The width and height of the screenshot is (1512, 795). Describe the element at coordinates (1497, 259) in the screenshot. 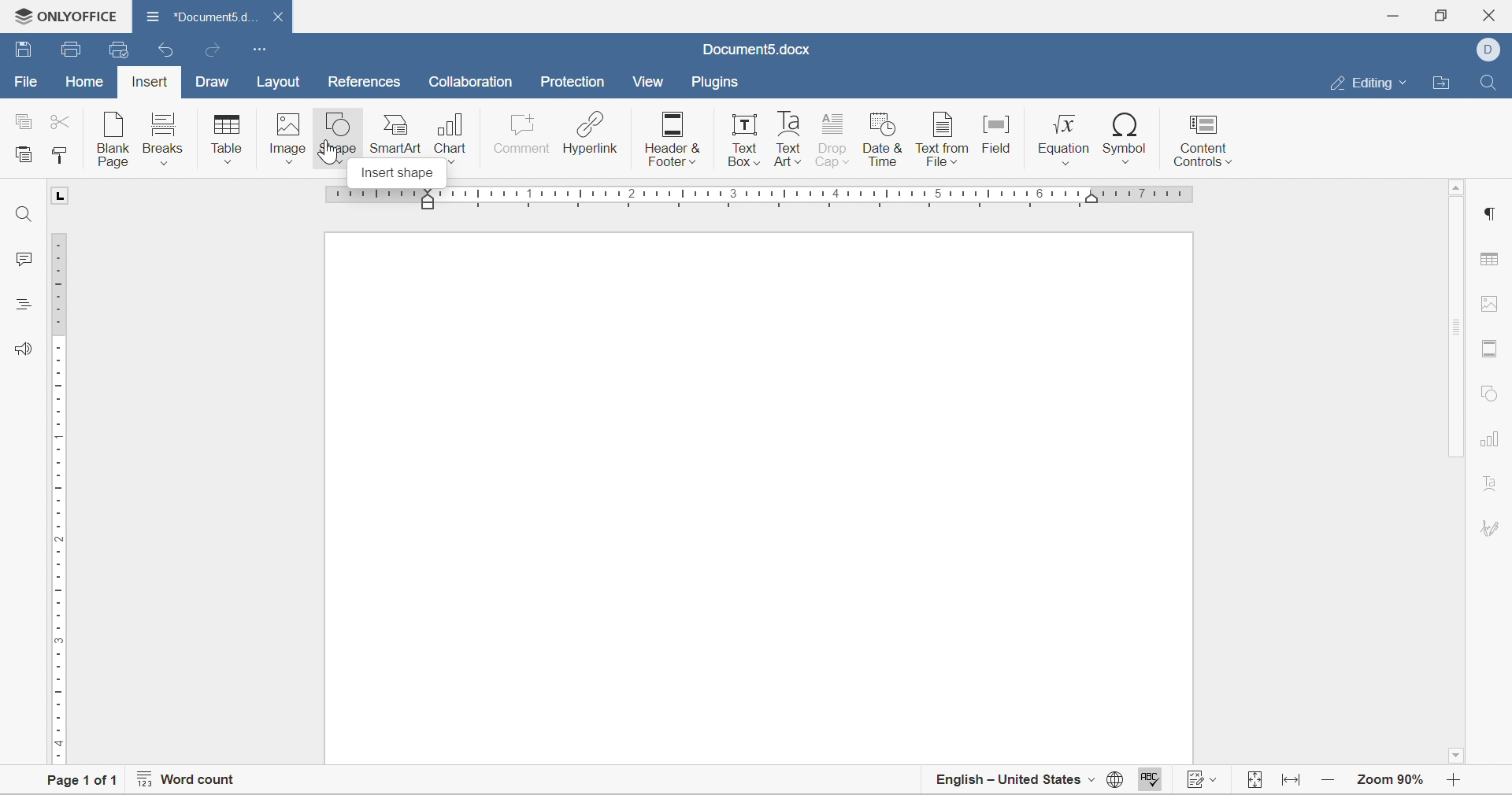

I see `table settings` at that location.